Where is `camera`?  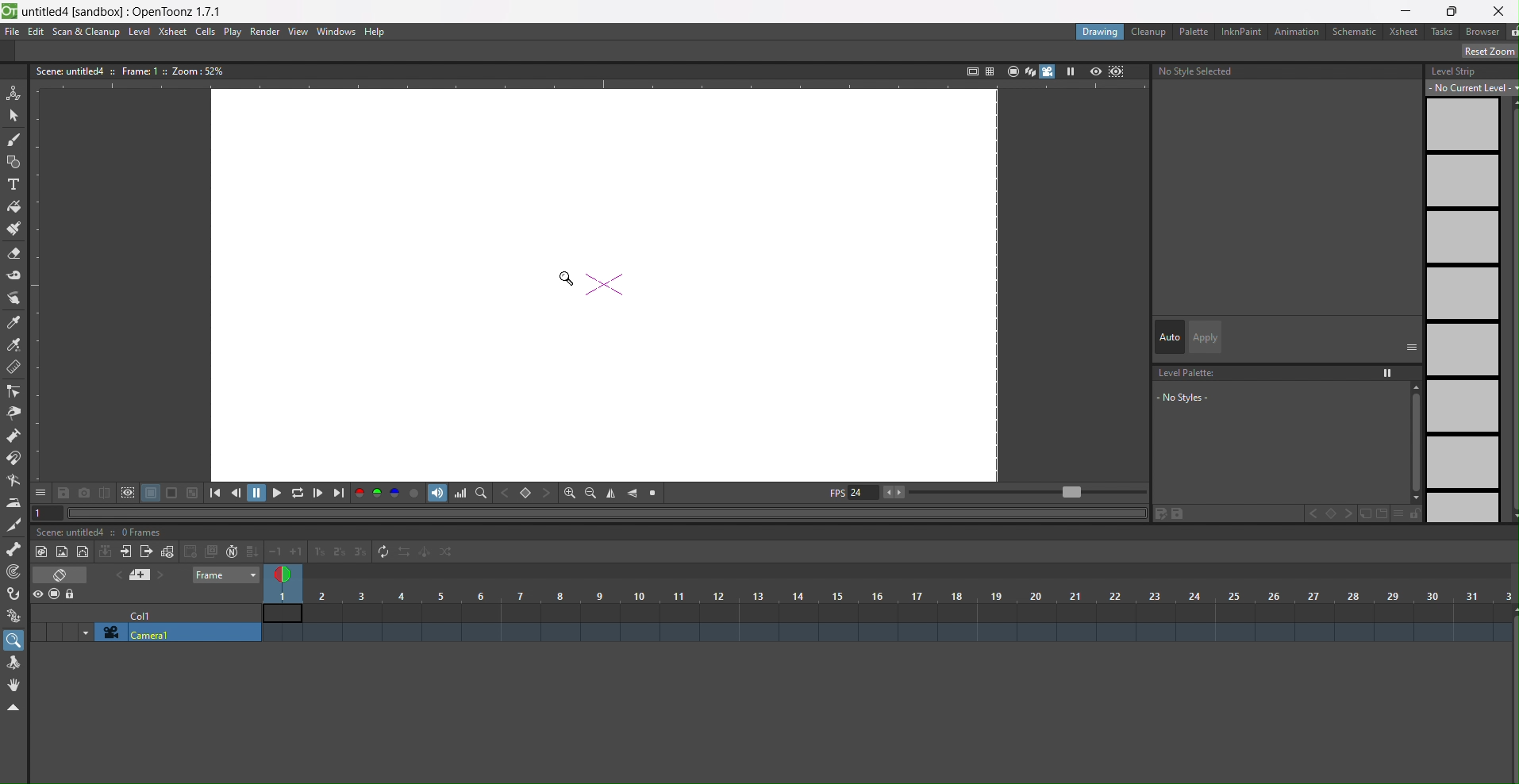
camera is located at coordinates (170, 633).